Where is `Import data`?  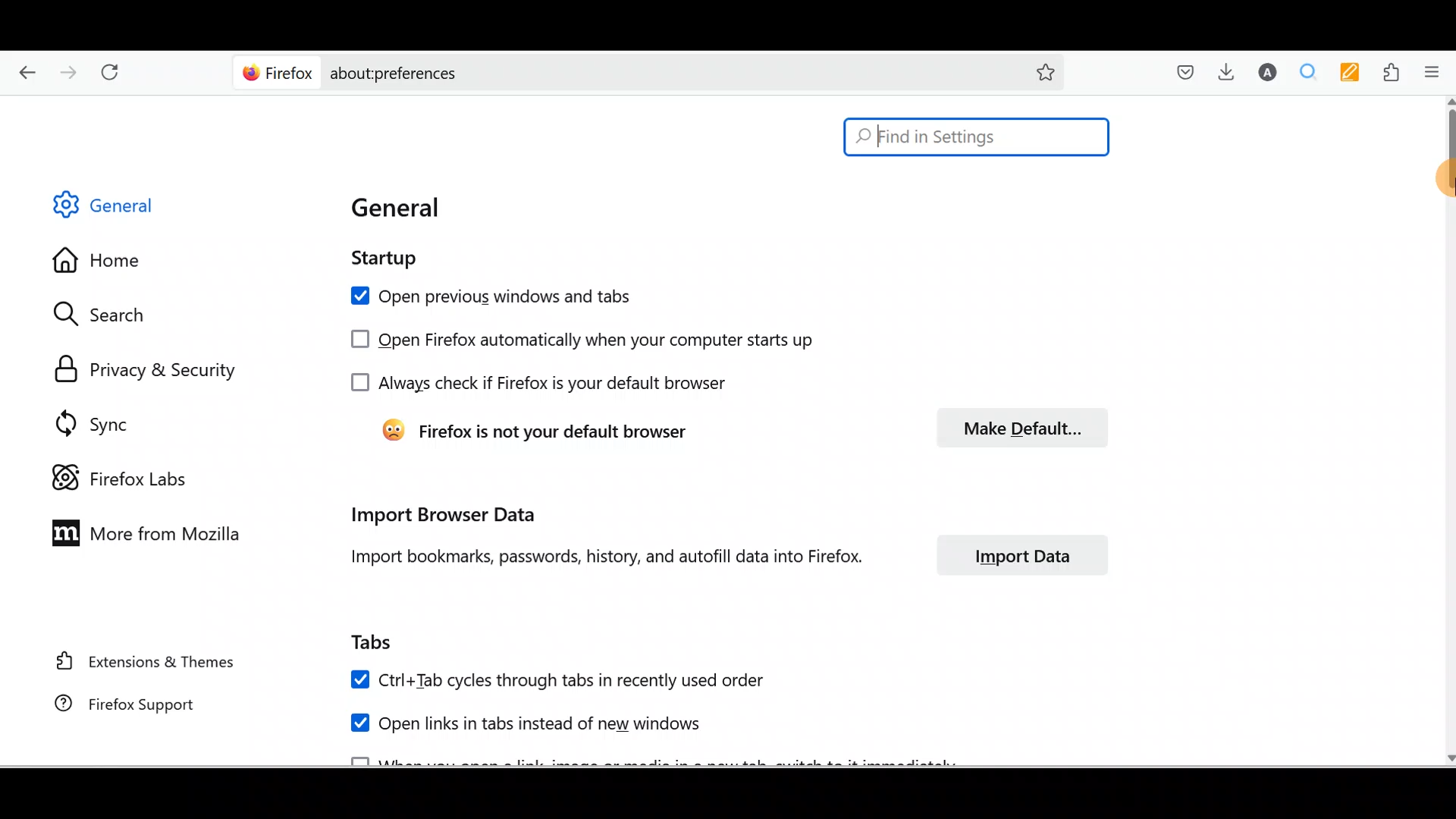 Import data is located at coordinates (1012, 554).